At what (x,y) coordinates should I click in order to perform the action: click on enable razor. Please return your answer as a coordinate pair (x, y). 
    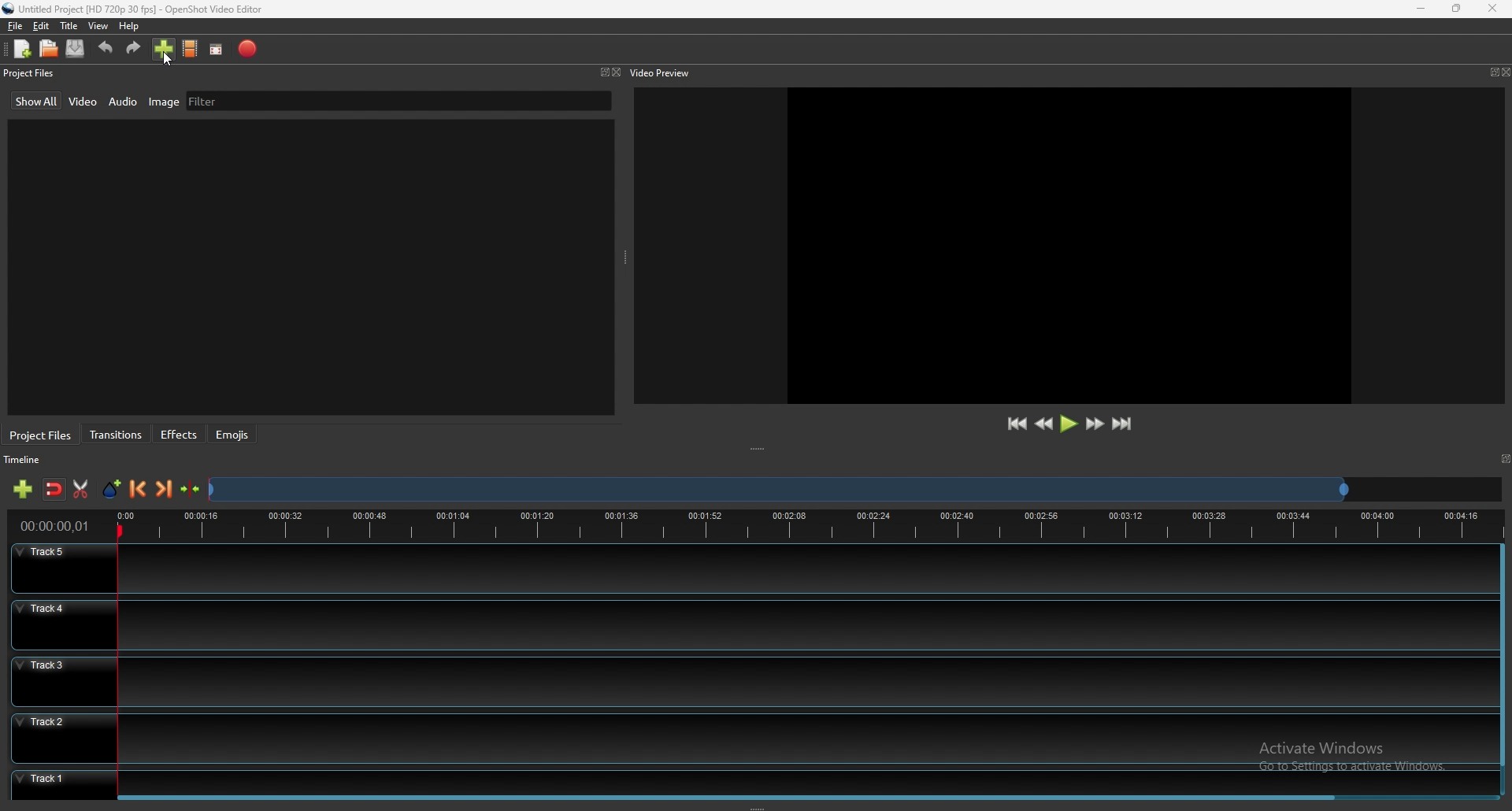
    Looking at the image, I should click on (80, 489).